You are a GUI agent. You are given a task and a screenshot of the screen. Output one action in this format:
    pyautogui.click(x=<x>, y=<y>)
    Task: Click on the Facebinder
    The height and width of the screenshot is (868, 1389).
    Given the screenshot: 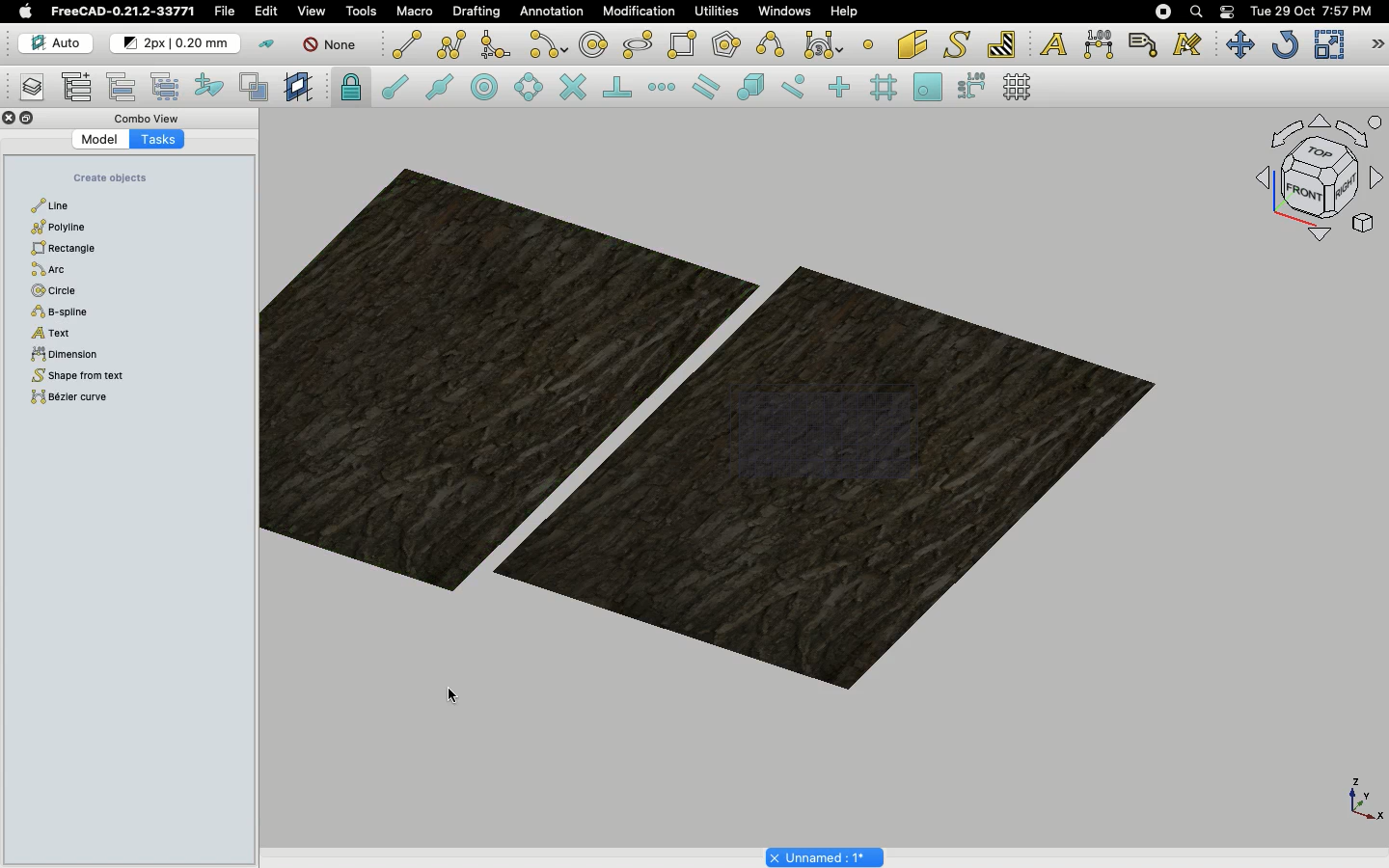 What is the action you would take?
    pyautogui.click(x=912, y=46)
    